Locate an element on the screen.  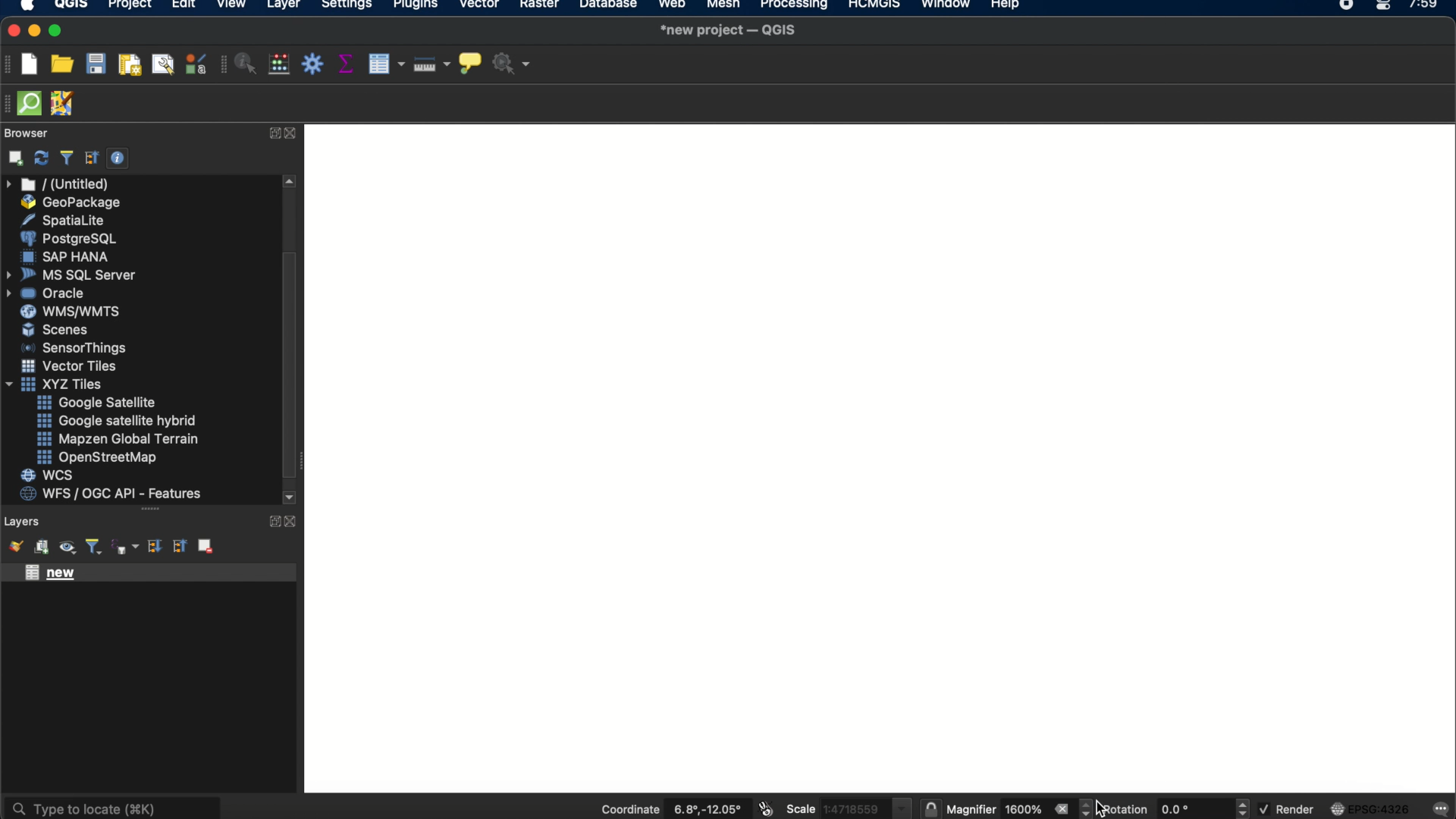
was/wmts is located at coordinates (72, 312).